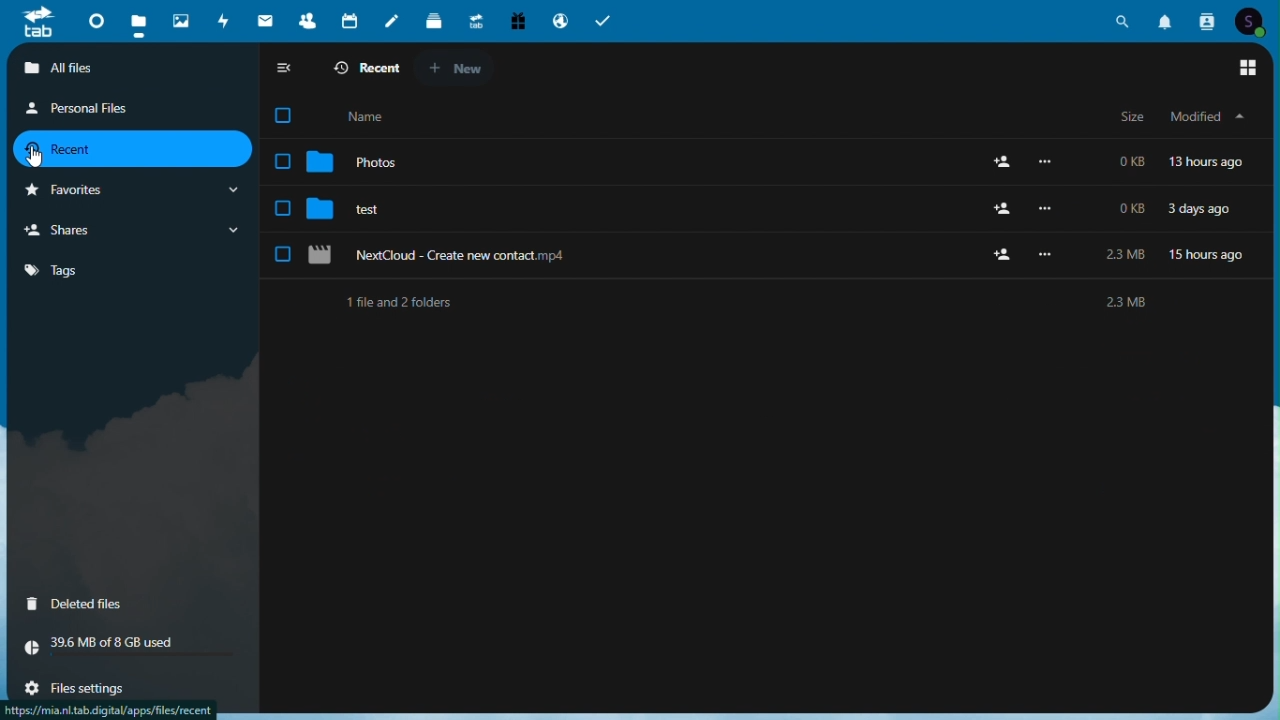 This screenshot has height=720, width=1280. Describe the element at coordinates (1209, 253) in the screenshot. I see `15 hours ago` at that location.